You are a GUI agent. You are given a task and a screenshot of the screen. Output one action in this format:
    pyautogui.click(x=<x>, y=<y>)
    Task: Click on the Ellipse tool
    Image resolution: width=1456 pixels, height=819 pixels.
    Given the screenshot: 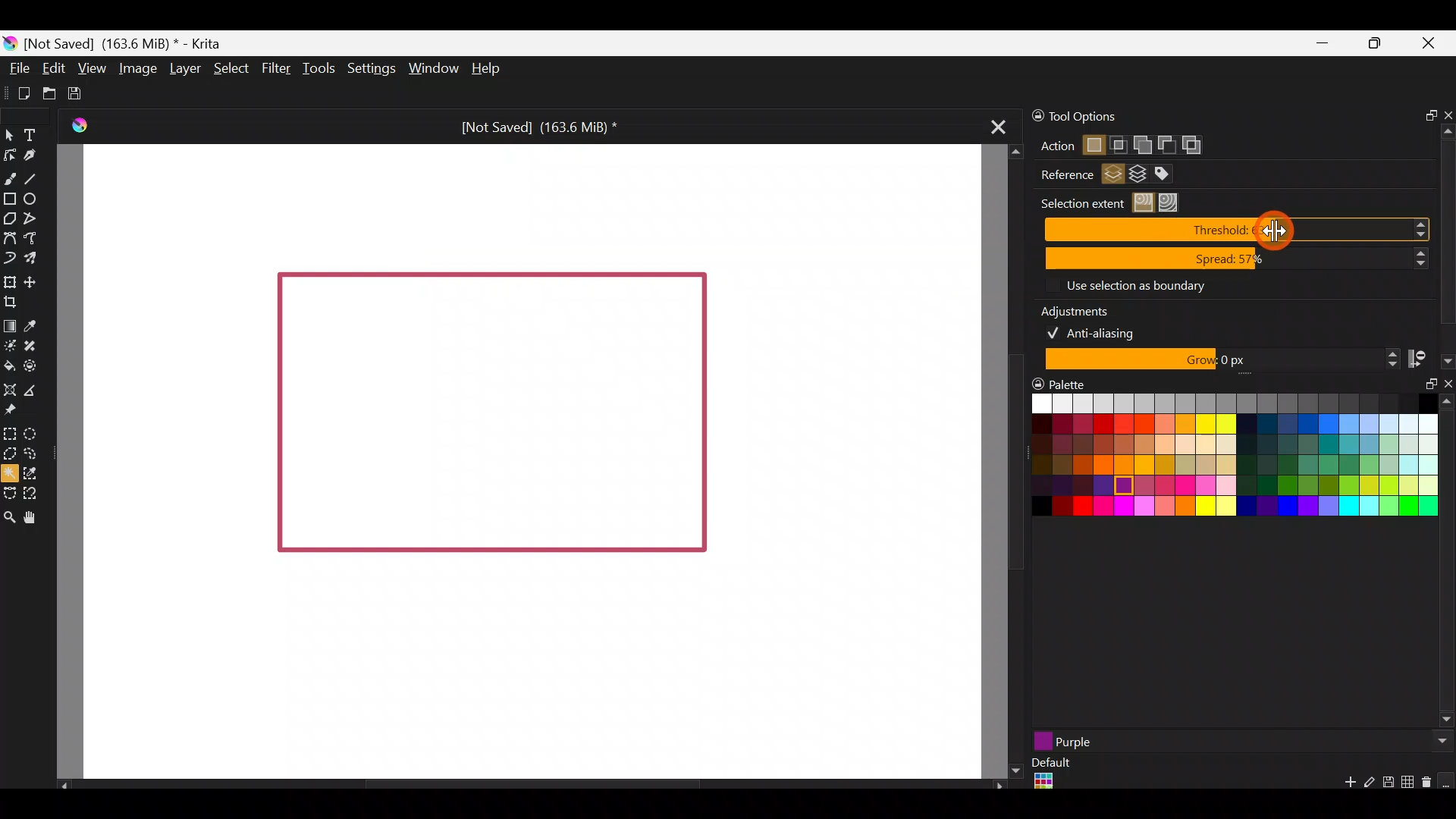 What is the action you would take?
    pyautogui.click(x=36, y=198)
    